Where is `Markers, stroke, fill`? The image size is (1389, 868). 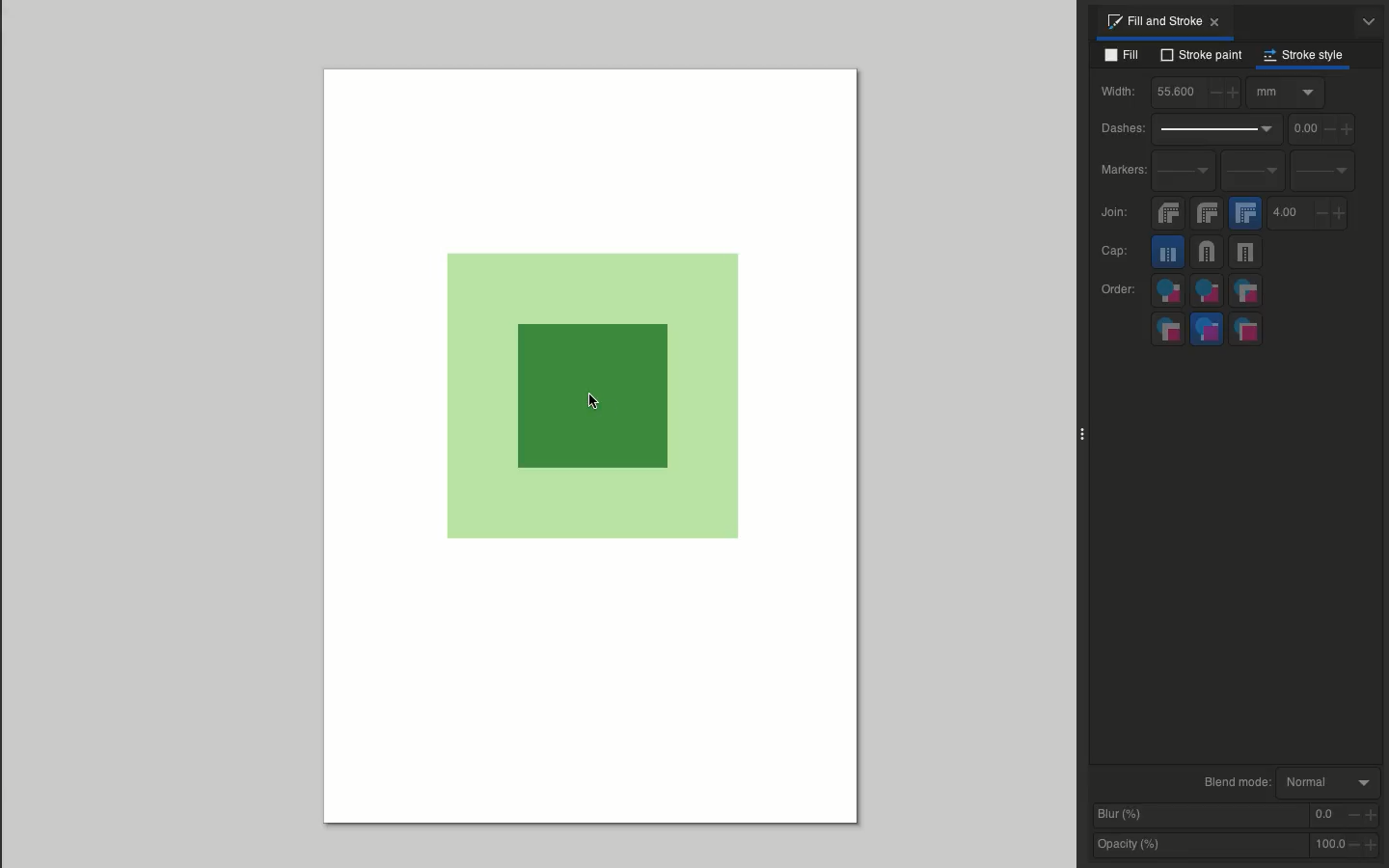
Markers, stroke, fill is located at coordinates (1247, 331).